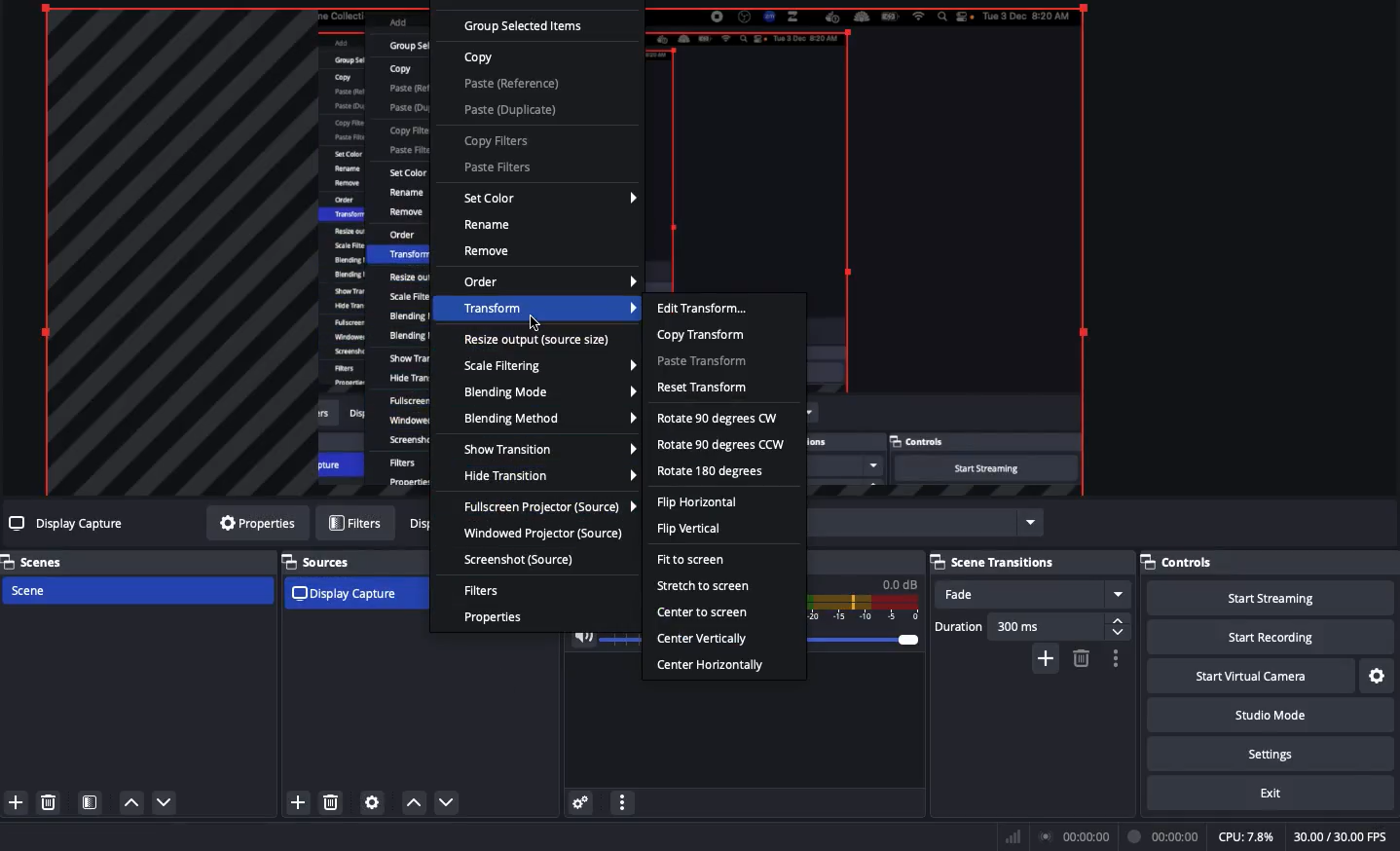  What do you see at coordinates (534, 321) in the screenshot?
I see `cursor` at bounding box center [534, 321].